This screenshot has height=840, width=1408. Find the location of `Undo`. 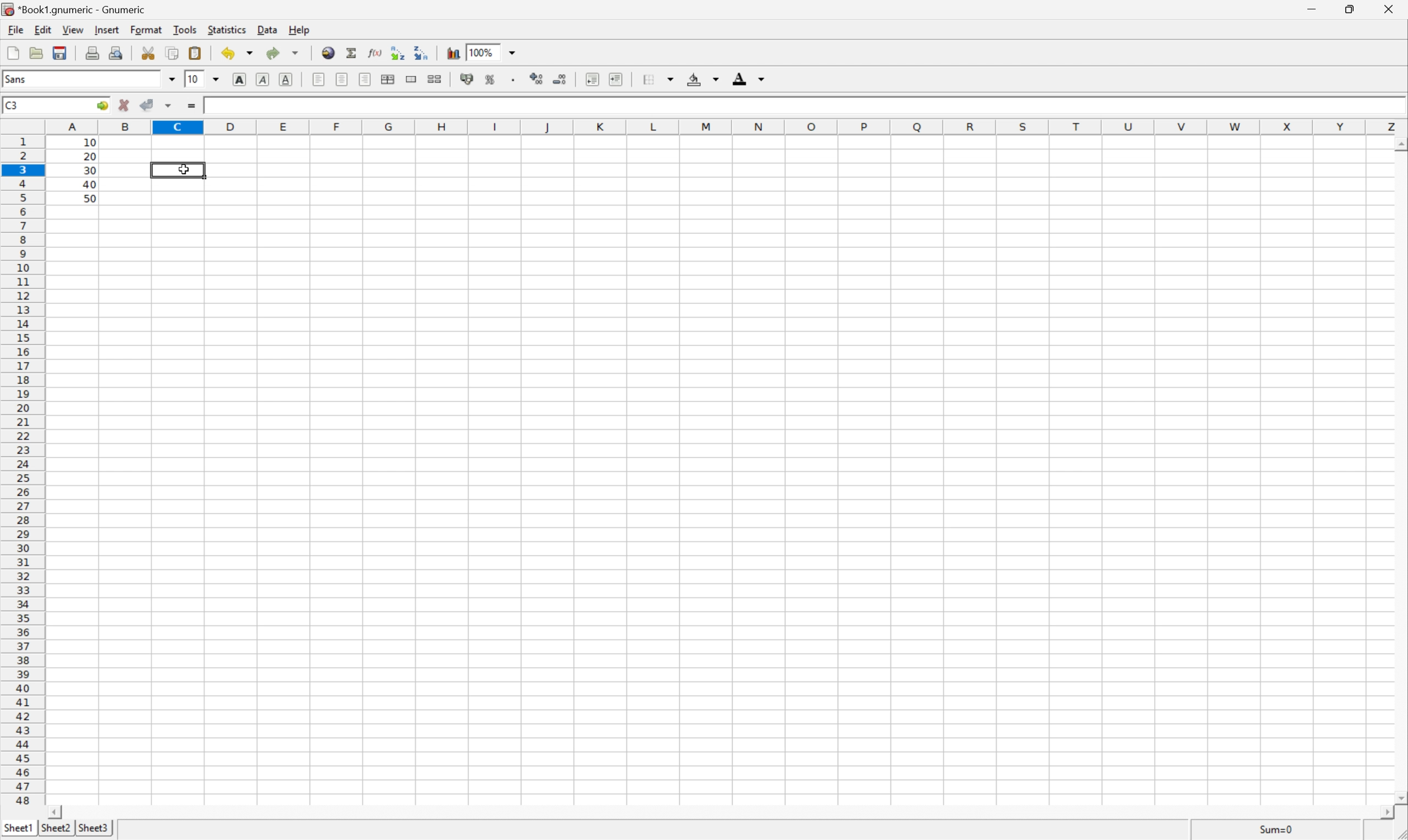

Undo is located at coordinates (226, 54).